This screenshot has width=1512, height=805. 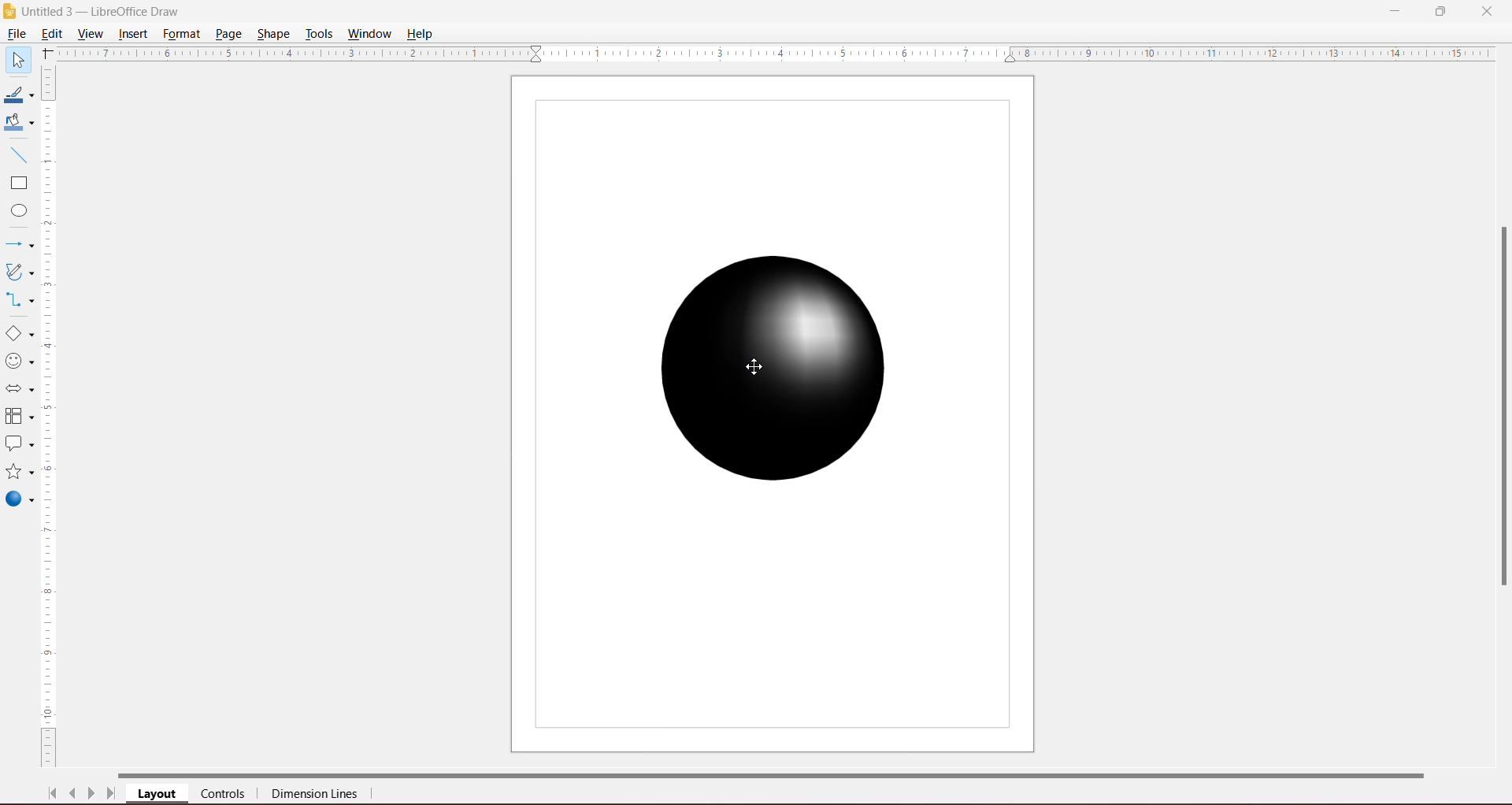 I want to click on Fill Color, so click(x=16, y=123).